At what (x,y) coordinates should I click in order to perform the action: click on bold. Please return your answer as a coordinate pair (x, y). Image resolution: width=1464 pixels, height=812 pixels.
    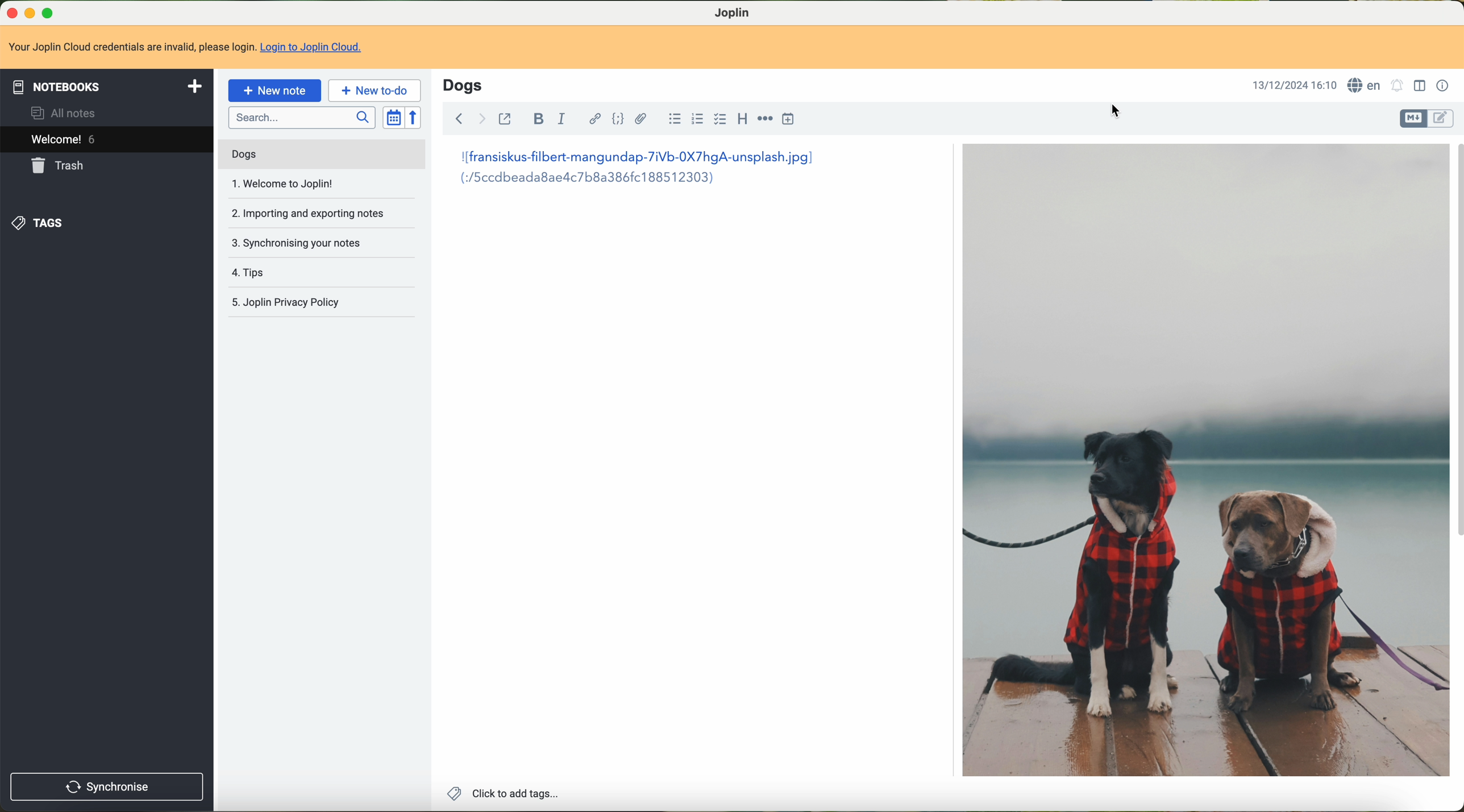
    Looking at the image, I should click on (538, 120).